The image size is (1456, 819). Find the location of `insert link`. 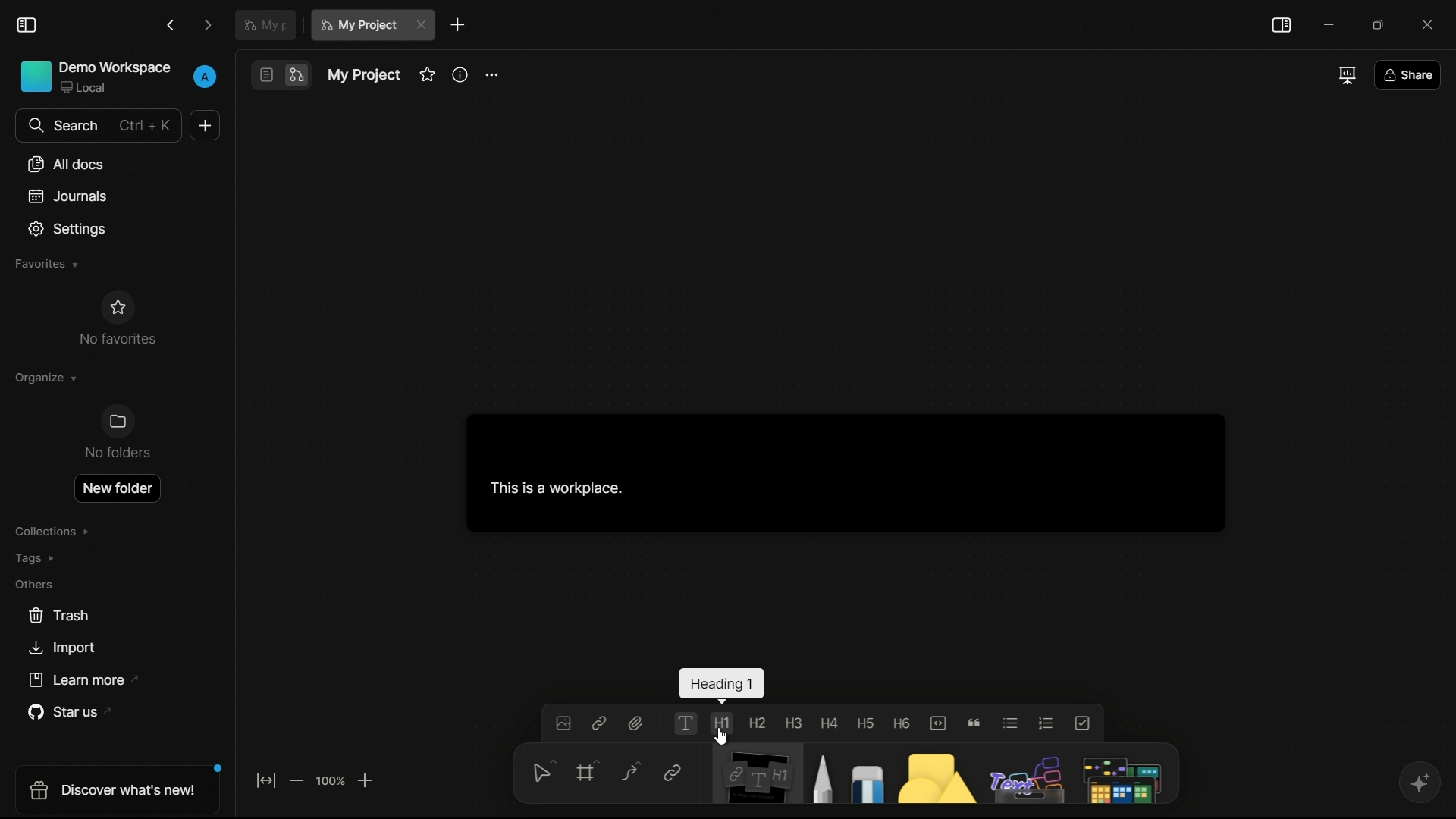

insert link is located at coordinates (600, 723).